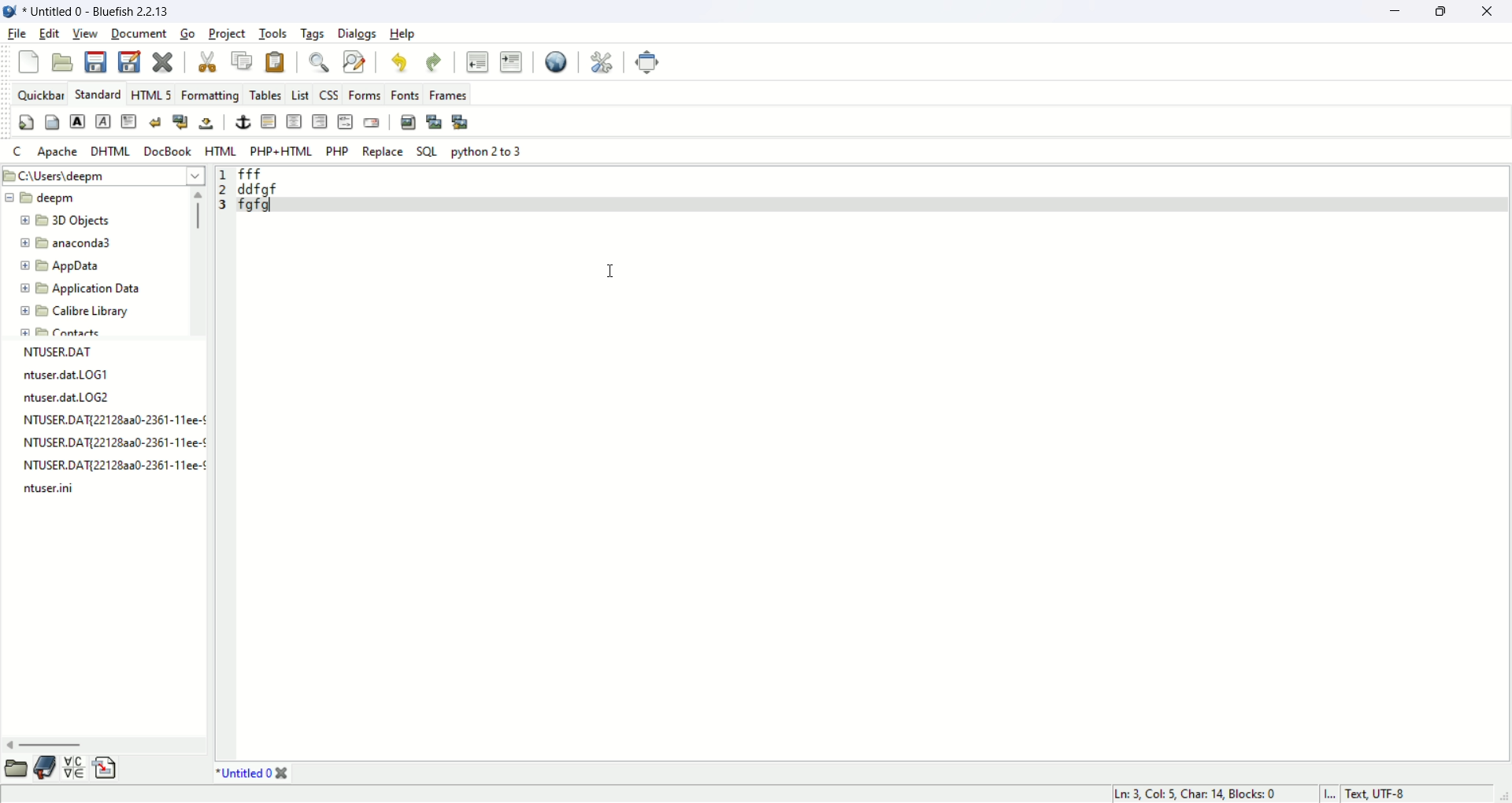 The image size is (1512, 803). What do you see at coordinates (338, 150) in the screenshot?
I see `PHP` at bounding box center [338, 150].